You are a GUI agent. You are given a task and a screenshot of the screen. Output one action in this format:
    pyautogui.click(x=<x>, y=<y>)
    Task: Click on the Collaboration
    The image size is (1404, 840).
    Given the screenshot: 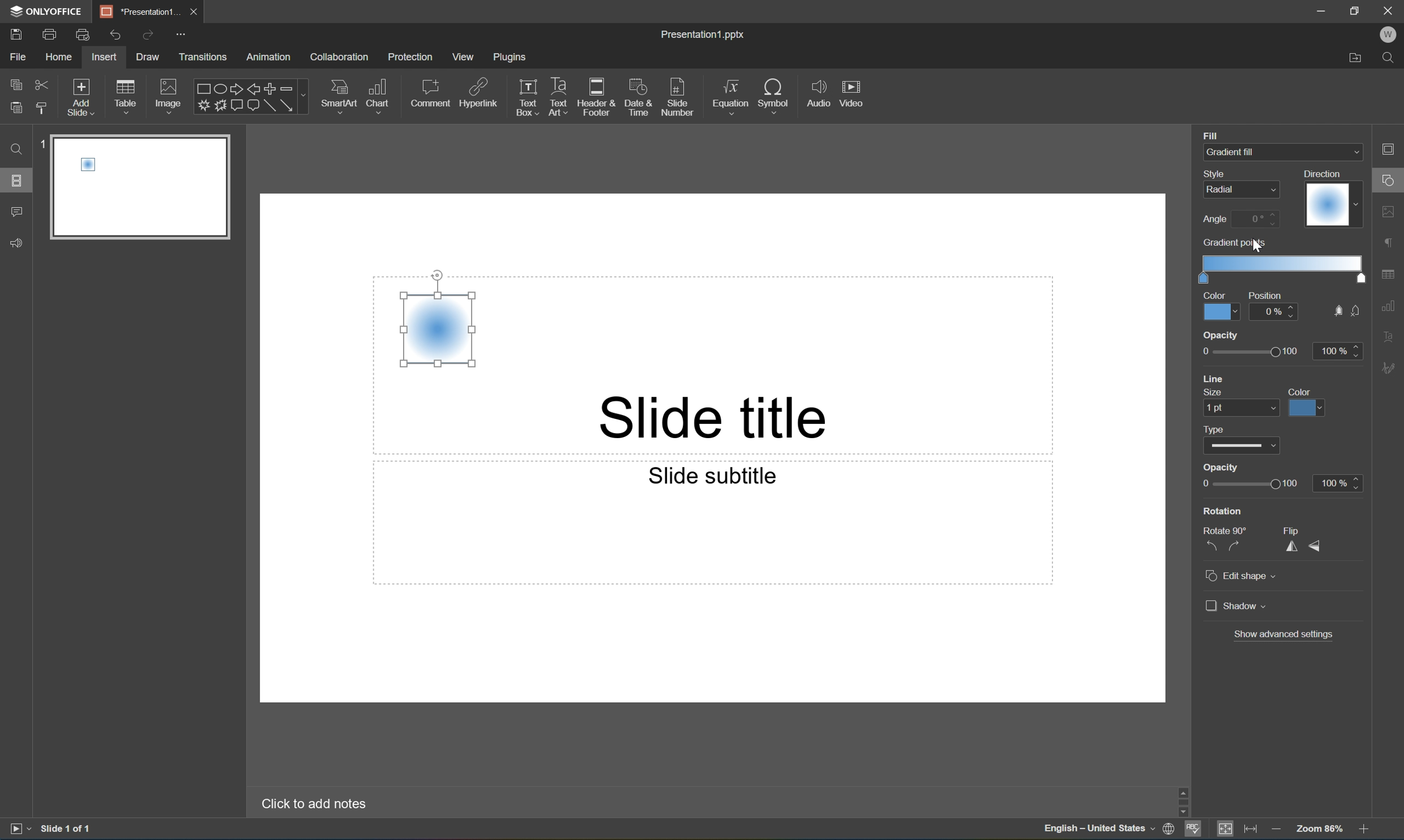 What is the action you would take?
    pyautogui.click(x=341, y=58)
    